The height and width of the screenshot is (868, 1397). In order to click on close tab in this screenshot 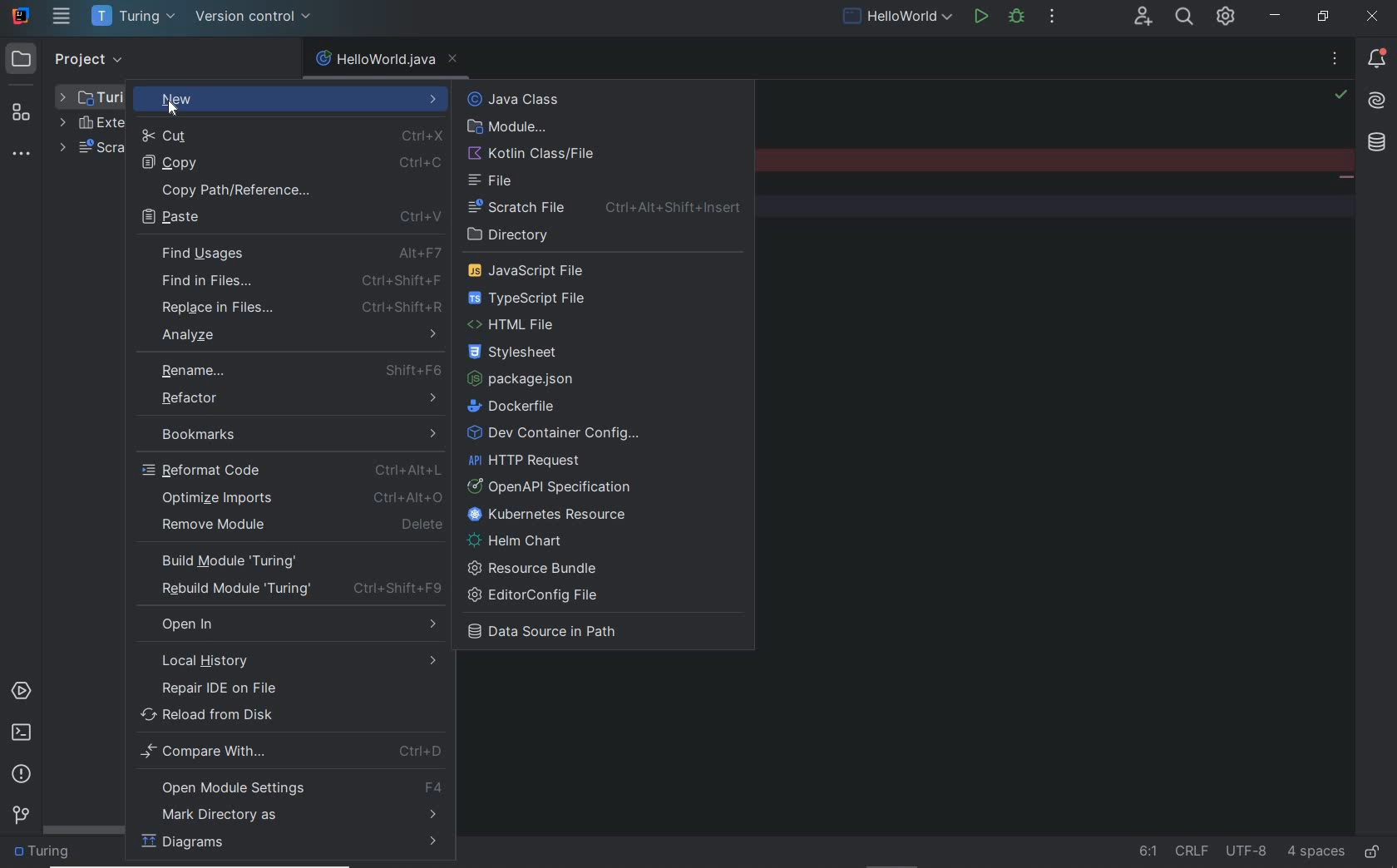, I will do `click(453, 60)`.